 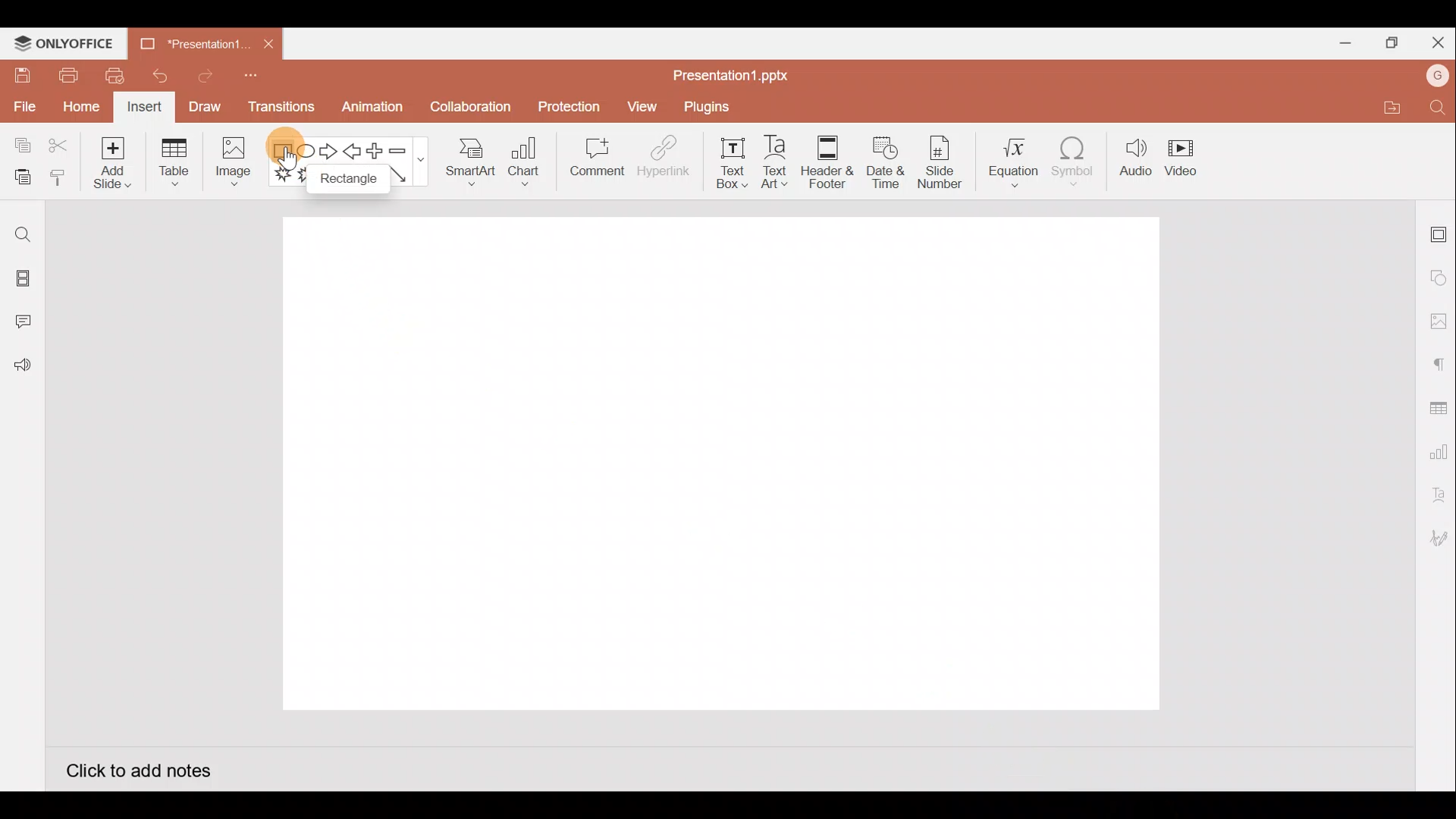 What do you see at coordinates (19, 178) in the screenshot?
I see `Paste` at bounding box center [19, 178].